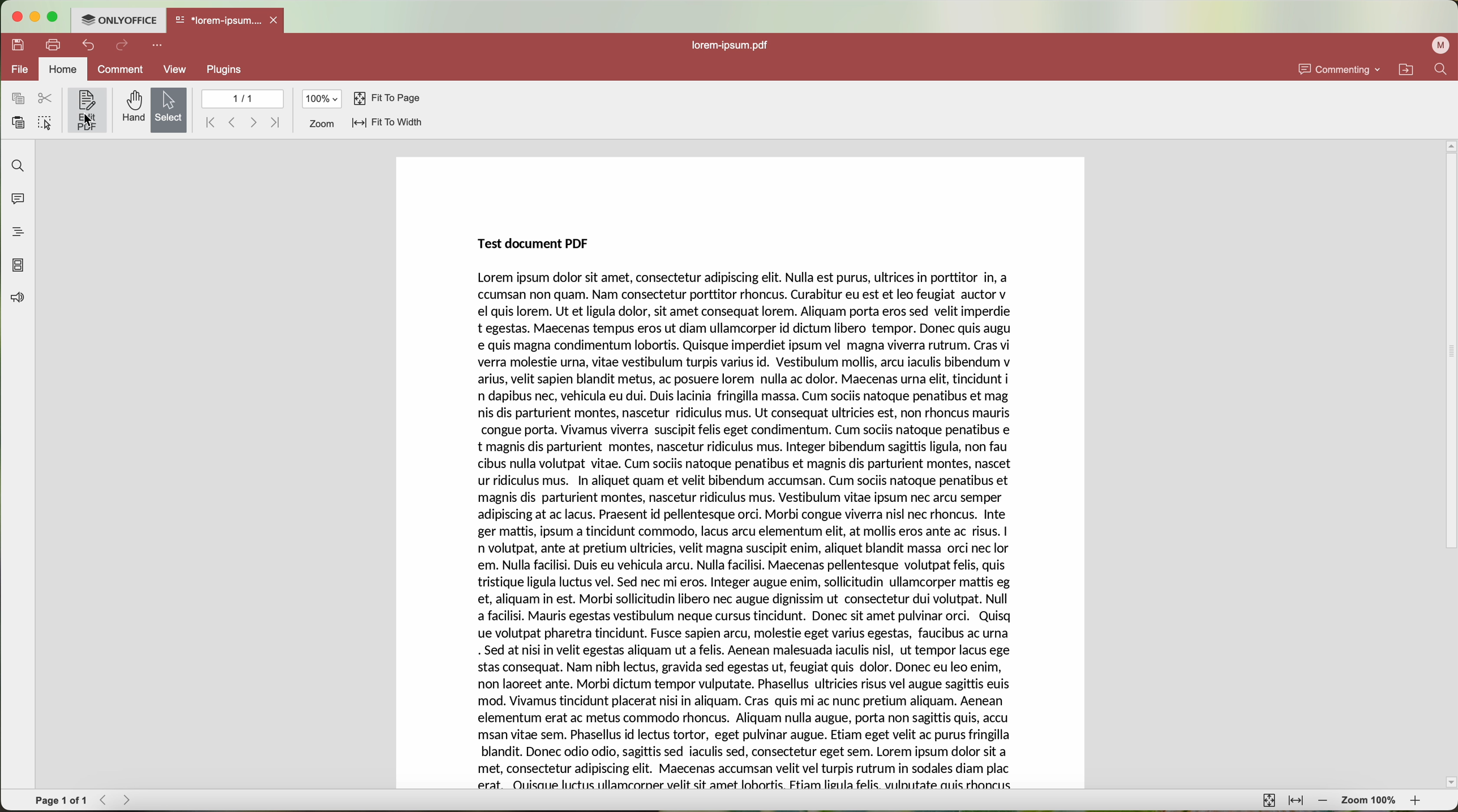 This screenshot has width=1458, height=812. Describe the element at coordinates (748, 531) in the screenshot. I see `Lorem ipsum dolor sit amet, consectetur adipiscing elit. Nulla est purus, ultrices in porttitor in, a
ccumsan non quam. Nam consectetur porttitor rhoncus. Curabitur eu est et leo feugiat auctor v
el quis lorem. Ut et ligula dolor, sit amet consequat lorem. Aliquam porta eros sed velit imperdie
t egestas. Maecenas tempus eros ut diam ullamcorper id dictum libero tempor. Donec quis augu
e quis magna condimentum lobortis. Quisque imperdiet ipsum vel magna viverra rutrum. Cras vi
verra molestie urna, vitae vestibulum turpis varius id. Vestibulum mollis, arcu iaculis bibendum v
arius, velit sapien blandit metus, ac posuere lorem nulla ac dolor. Maecenas urna elit, tincidunt i
n dapibus nec, vehicula eu dui. Duis lacinia fringilla massa. Cum sociis natoque penatibus et mag
nis dis parturient montes, nascetur ridiculus mus. Ut consequat ultricies est, non rhoncus mauris
congue porta. Vivamus viverra suscipit felis eget condimentum. Cum sociis natoque penatibus e
t magnis dis parturient montes, nascetur ridiculus mus. Integer bibendum sagittis ligula, non fau
cibus nulla volutpat vitae. Cum sociis natoque penatibus et magnis dis parturient montes, nascet
ur ridiculus mus. In aliquet quam et velit bibendum accumsan. Cum sociis natoque penatibus et
magnis dis parturient montes, nascetur ridiculus mus. Vestibulum vitae ipsum nec arcu semper
adipiscing at ac lacus. Praesent id pellentesque orci. Morbi congue viverra nisl nec rhoncus. Inte
ger mattis, ipsum a tincidunt commodo, lacus arcu elementum elit, at mollis eros ante ac risus. |
n volutpat, ante at pretium ultricies, velit magna suscipit enim, aliquet blandit massa orci nec lor
em. Nulla facilisi. Duis eu vehicula arcu. Nulla facilisi. Maecenas pellentesque volutpat felis, quis
tristique ligula luctus vel. Sed nec mi eros. Integer augue enim, sollicitudin ullamcorper mattis eg
et, aliquam in est. Morbi sollicitudin libero nec augue dignissim ut consectetur dui volutpat. Null
a facilisi. Mauris egestas vestibulum neque cursus tincidunt. Donec sit amet pulvinar orci. Quisq
ue volutpat pharetra tincidunt. Fusce sapien arcu, molestie eget varius egestas, faucibus ac urna
. Sed at nisi in velit egestas aliquam ut a felis. Aenean malesuada iaculis nisl, ut tempor lacus ege
stas consequat. Nam nibh lectus, gravida sed egestas ut, feugiat quis dolor. Donec eu leo enim,
non laoreet ante. Morbi dictum tempor vulputate. Phasellus ultricies risus vel augue sagittis euis
mod. Vivamus tincidunt placerat nisi in aliquam. Cras quis mi ac nunc pretium aliquam. Aenean
elementum erat ac metus commodo rhoncus. Aliquam nulla augue, porta non sagittis quis, accu
msan vitae sem. Phasellus id lectus tortor, eget pulvinar augue. Etiam eget velit ac purus fringilla
blandit. Donec odio odio, sagittis sed iaculis sed, consectetur eget sem. Lorem ipsum dolor sit a
met, consectetur adipiscing elit. Maecenas accumsan velit vel turpis rutrum in sodales diam plac
erat. Ouisatie luctus ullamcorner velit sit amet lobortis. Ftiam lienila felis. viilnutate ais rhonciis` at that location.